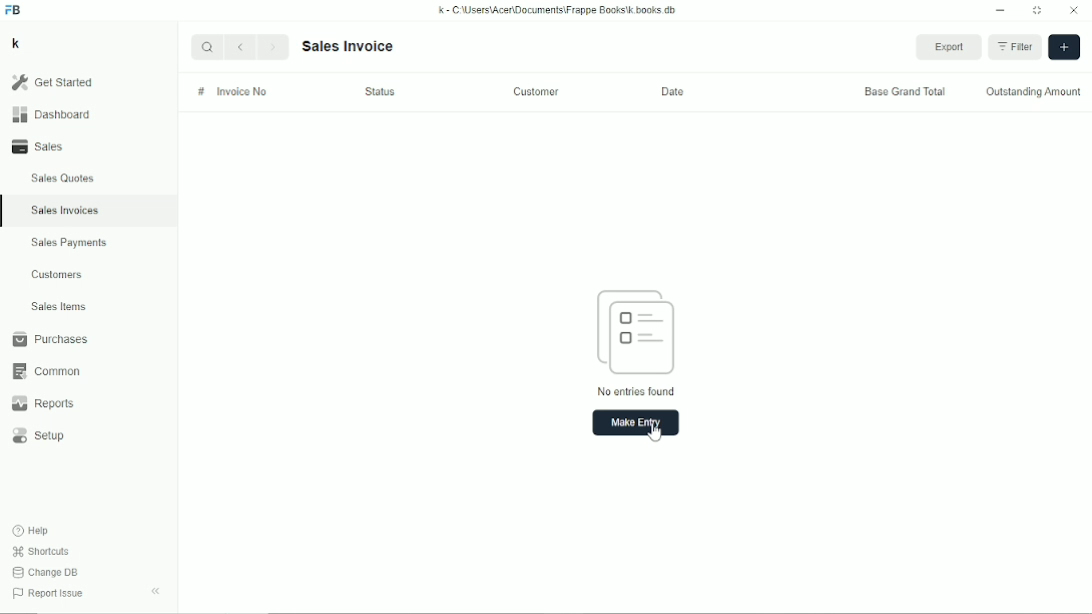 Image resolution: width=1092 pixels, height=614 pixels. What do you see at coordinates (275, 45) in the screenshot?
I see `Forward` at bounding box center [275, 45].